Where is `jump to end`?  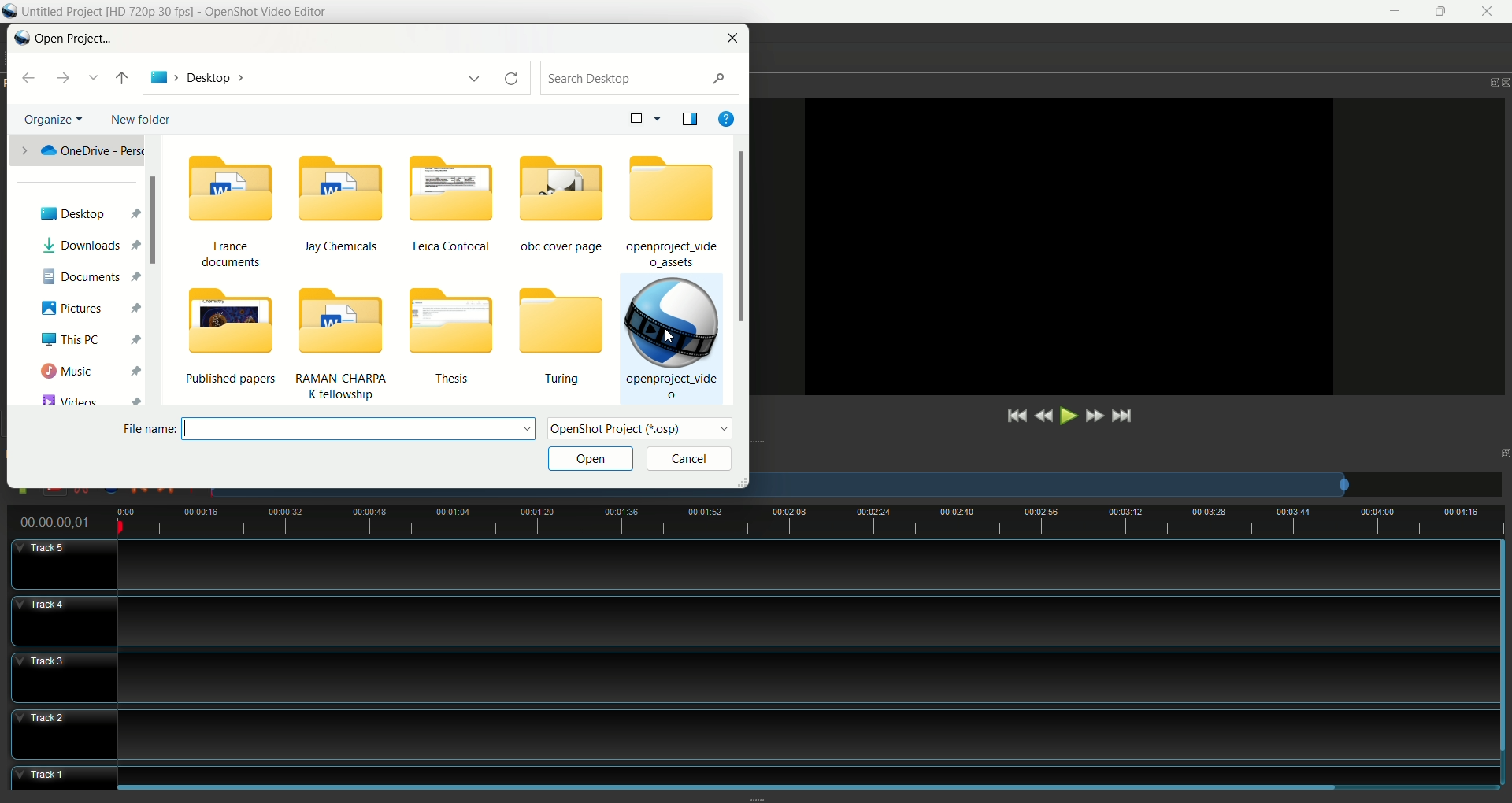 jump to end is located at coordinates (1121, 416).